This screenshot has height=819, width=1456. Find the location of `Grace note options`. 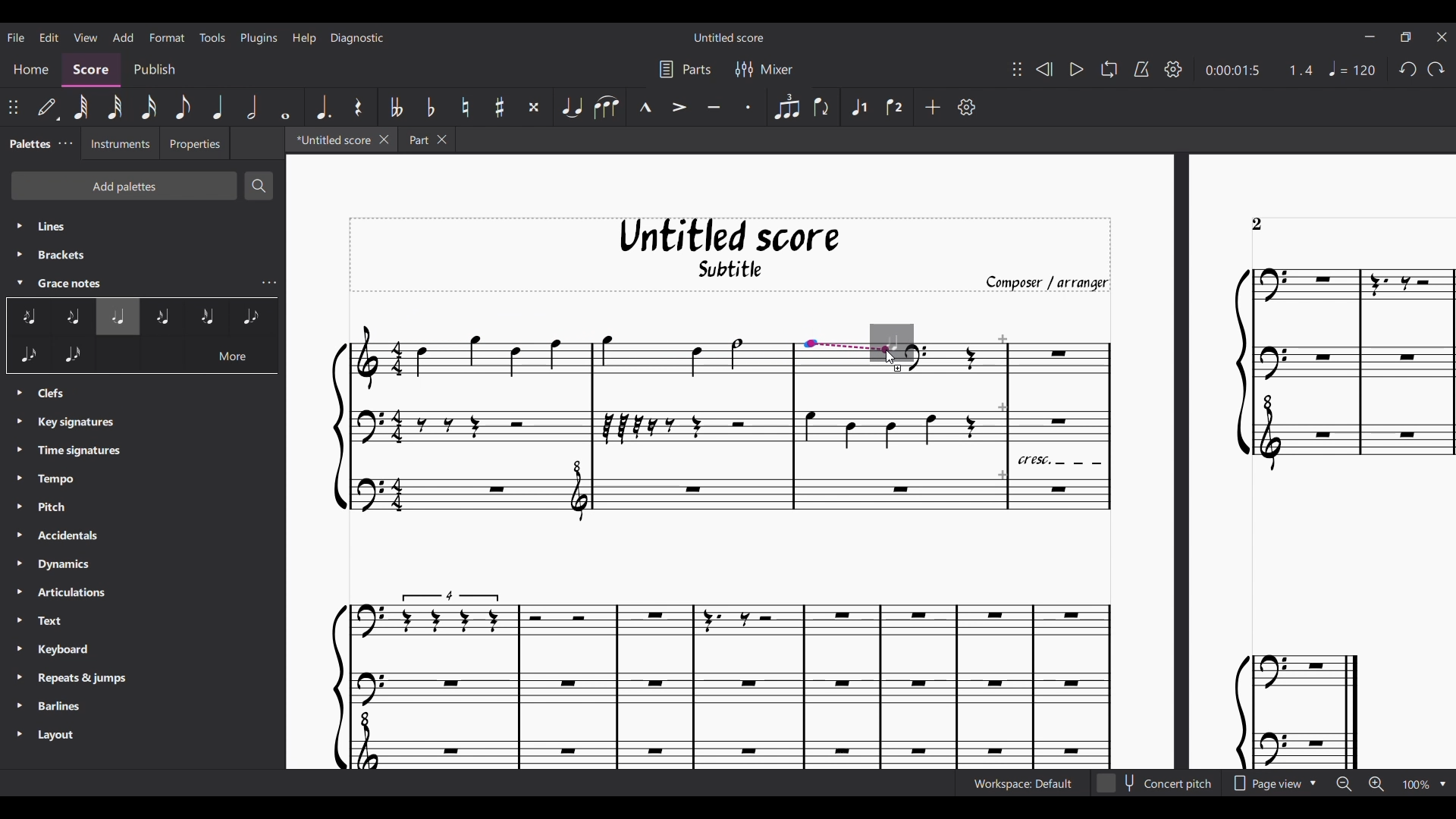

Grace note options is located at coordinates (143, 359).